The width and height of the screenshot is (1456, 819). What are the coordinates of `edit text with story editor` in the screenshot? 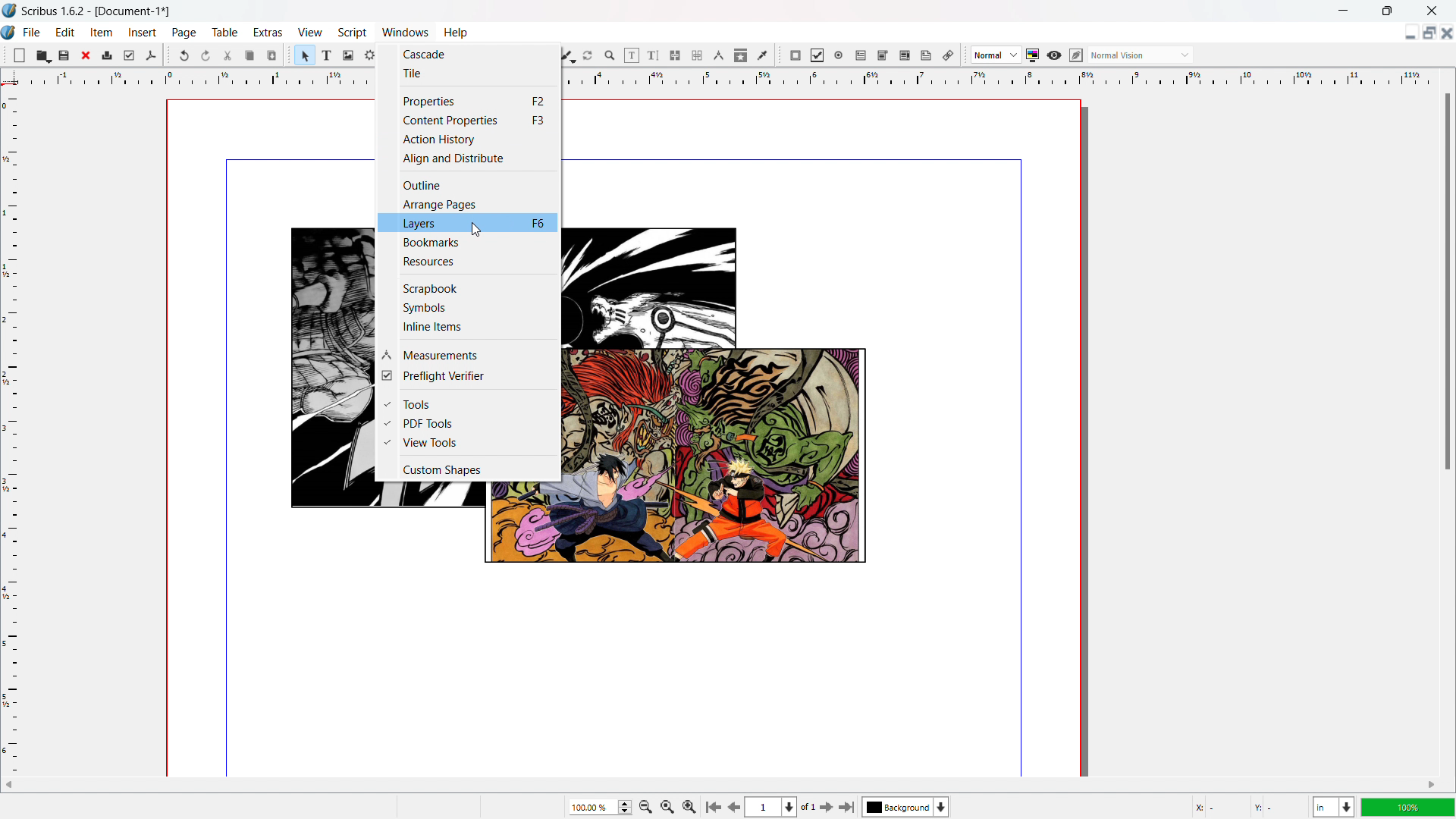 It's located at (654, 55).